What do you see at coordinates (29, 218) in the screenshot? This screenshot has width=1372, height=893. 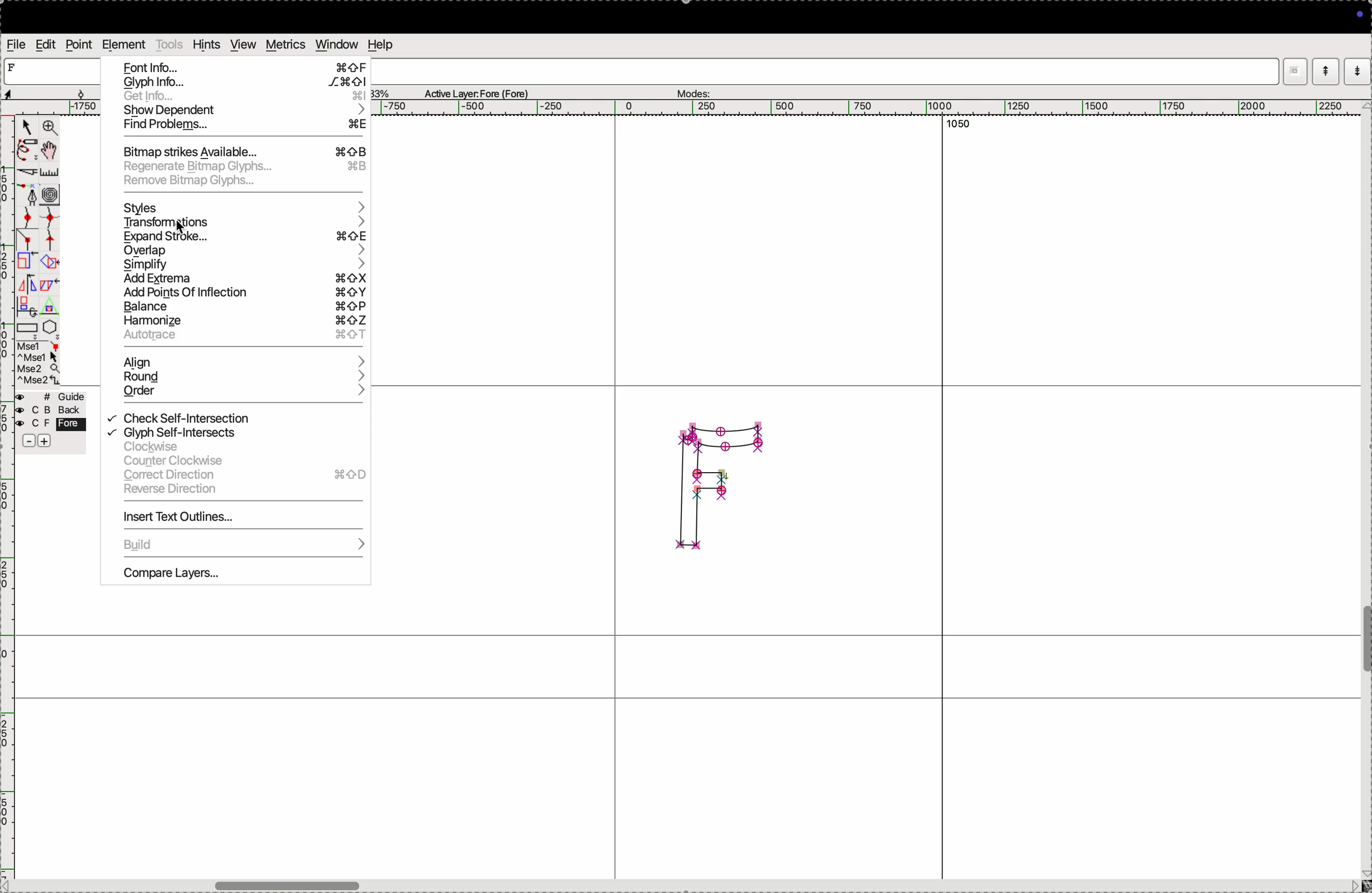 I see `point curve` at bounding box center [29, 218].